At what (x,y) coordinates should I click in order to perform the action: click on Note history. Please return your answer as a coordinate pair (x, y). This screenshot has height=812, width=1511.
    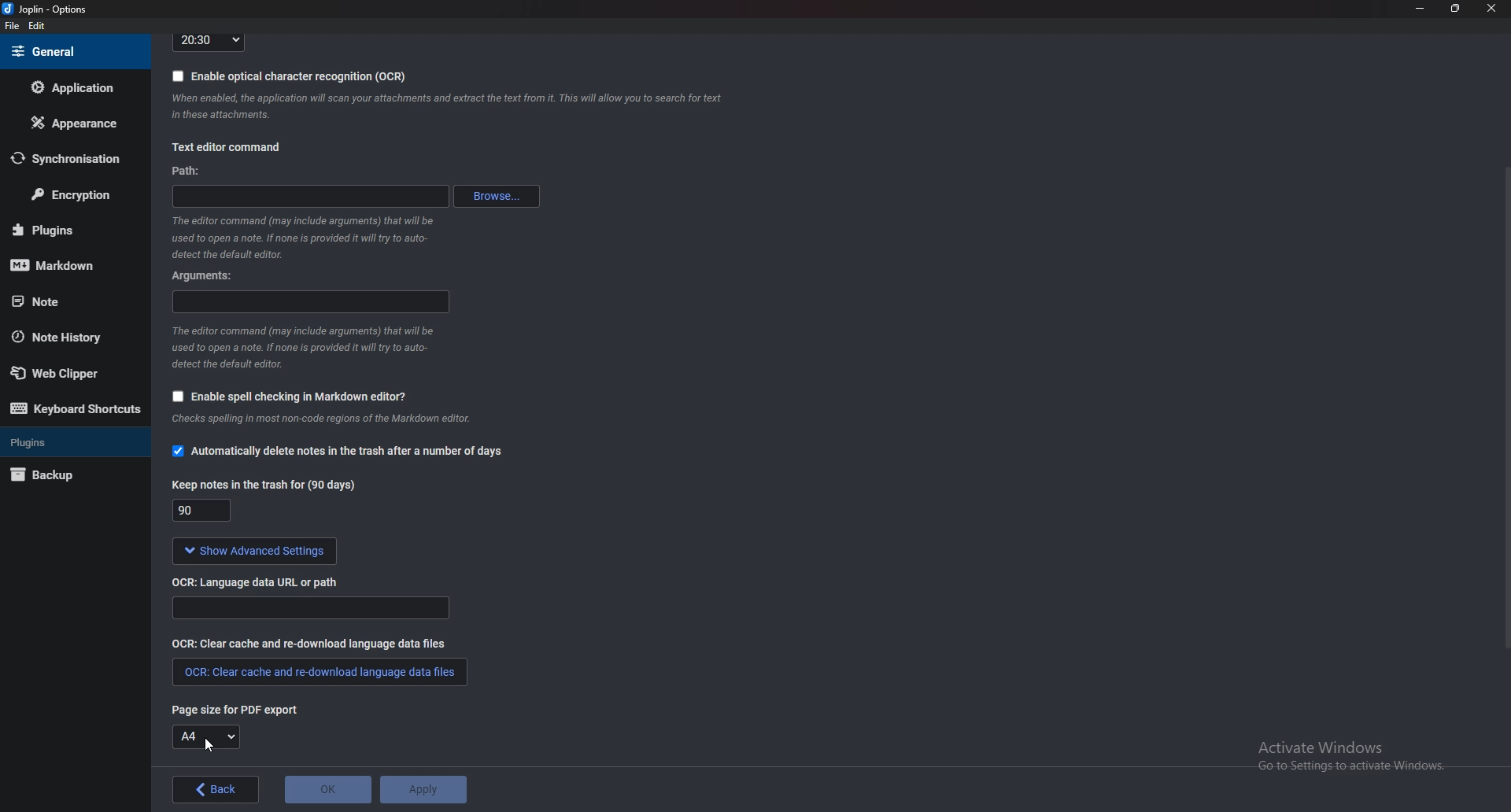
    Looking at the image, I should click on (65, 338).